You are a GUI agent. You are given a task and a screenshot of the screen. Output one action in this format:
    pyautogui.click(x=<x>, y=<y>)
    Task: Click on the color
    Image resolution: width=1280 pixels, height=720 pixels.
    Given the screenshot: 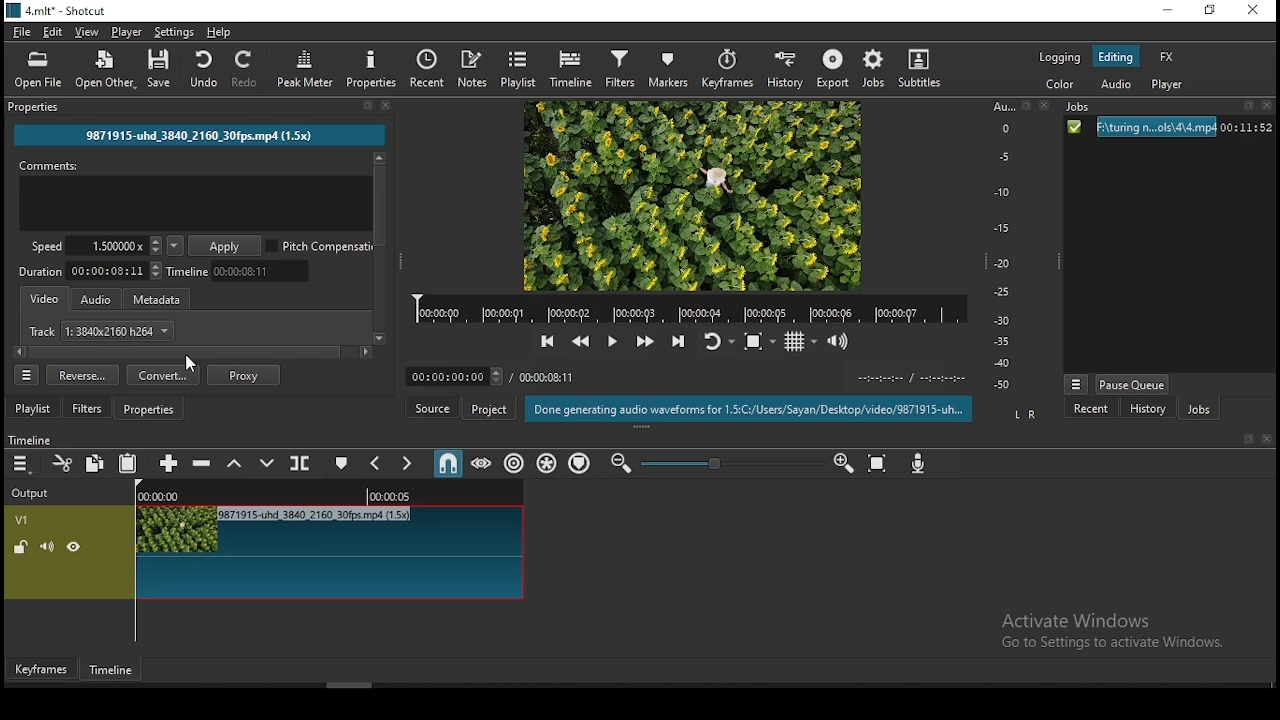 What is the action you would take?
    pyautogui.click(x=1062, y=85)
    